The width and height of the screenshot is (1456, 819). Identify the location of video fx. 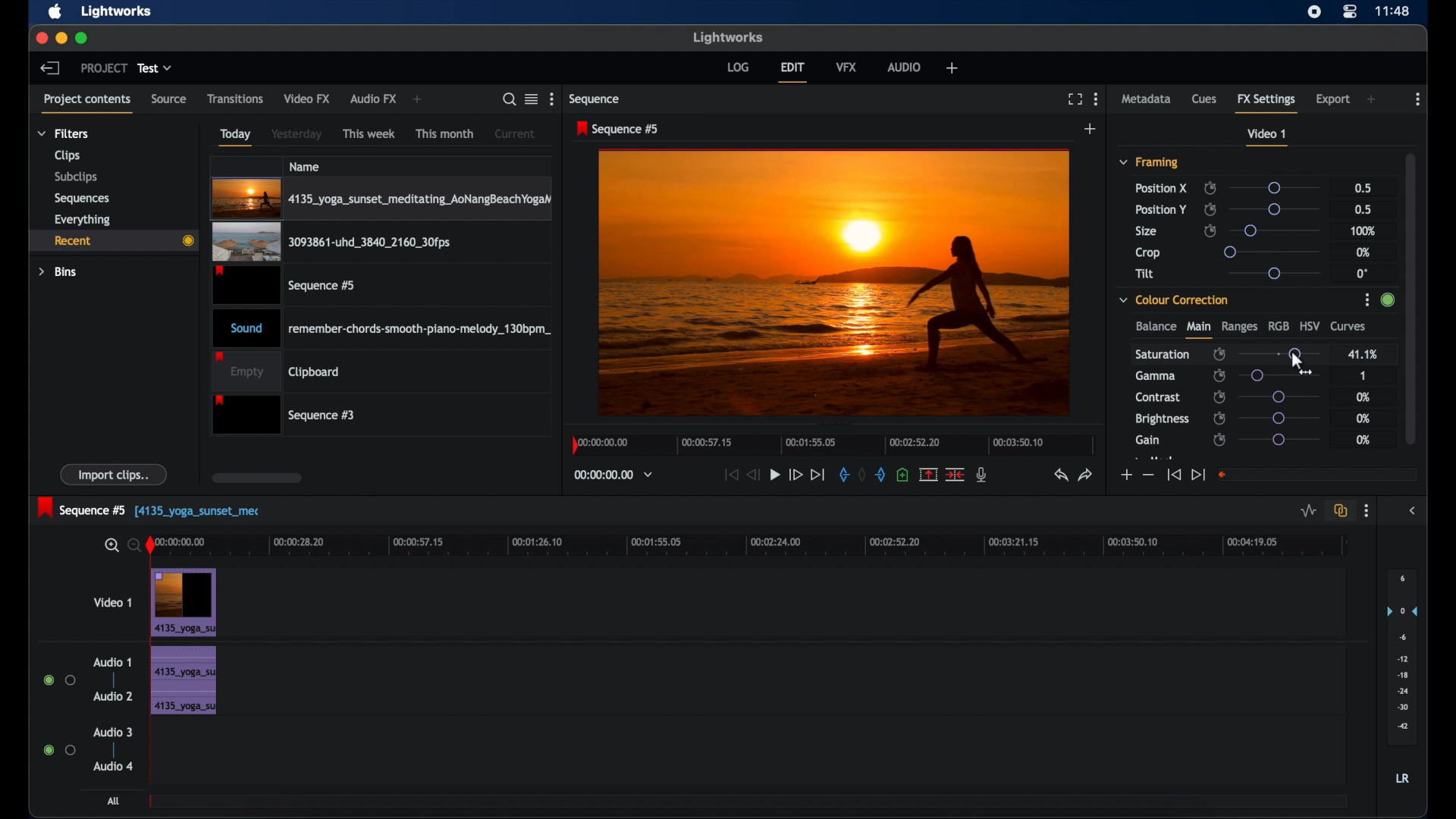
(308, 99).